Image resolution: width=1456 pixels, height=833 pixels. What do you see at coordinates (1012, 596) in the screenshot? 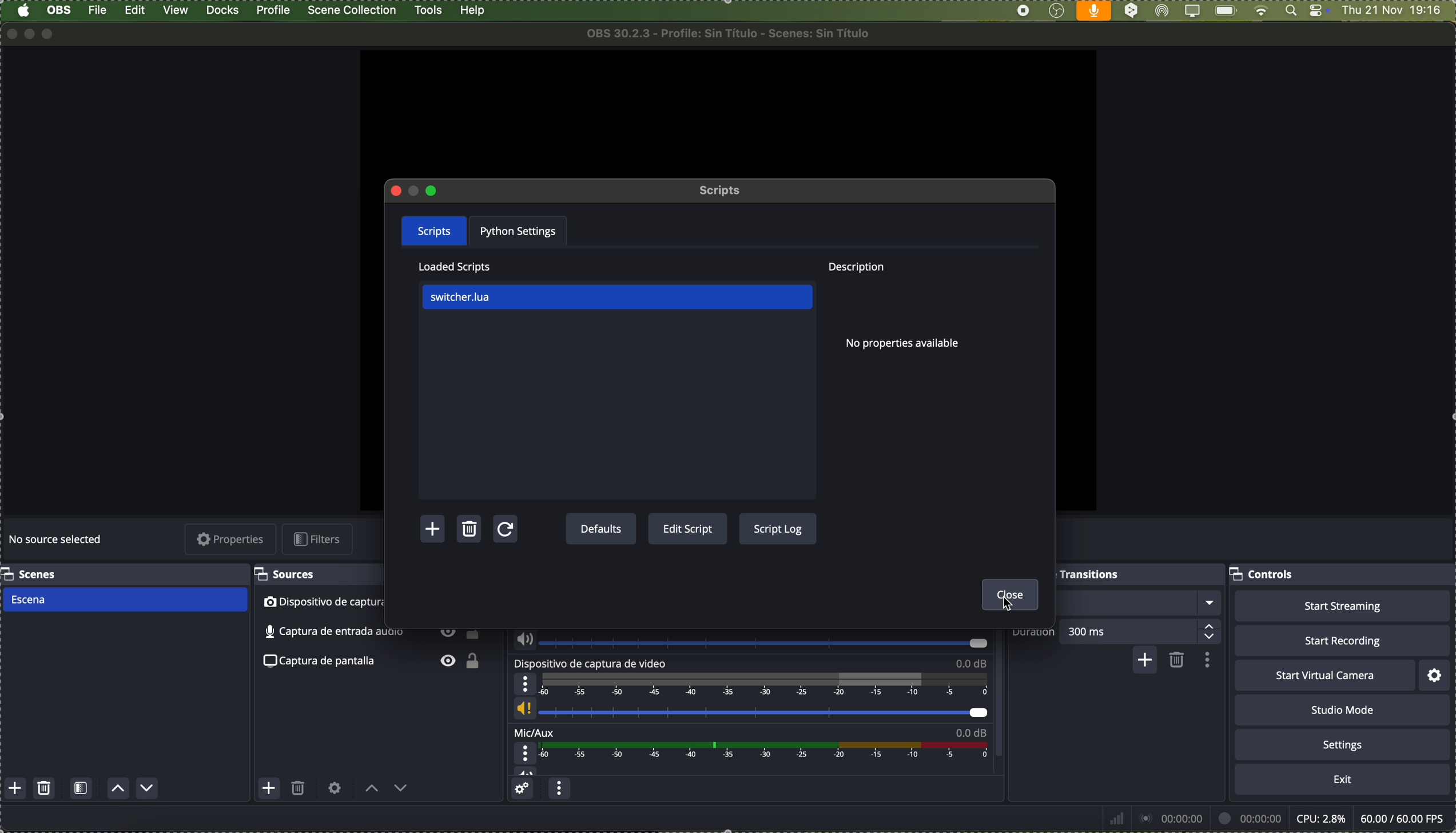
I see `click on close button` at bounding box center [1012, 596].